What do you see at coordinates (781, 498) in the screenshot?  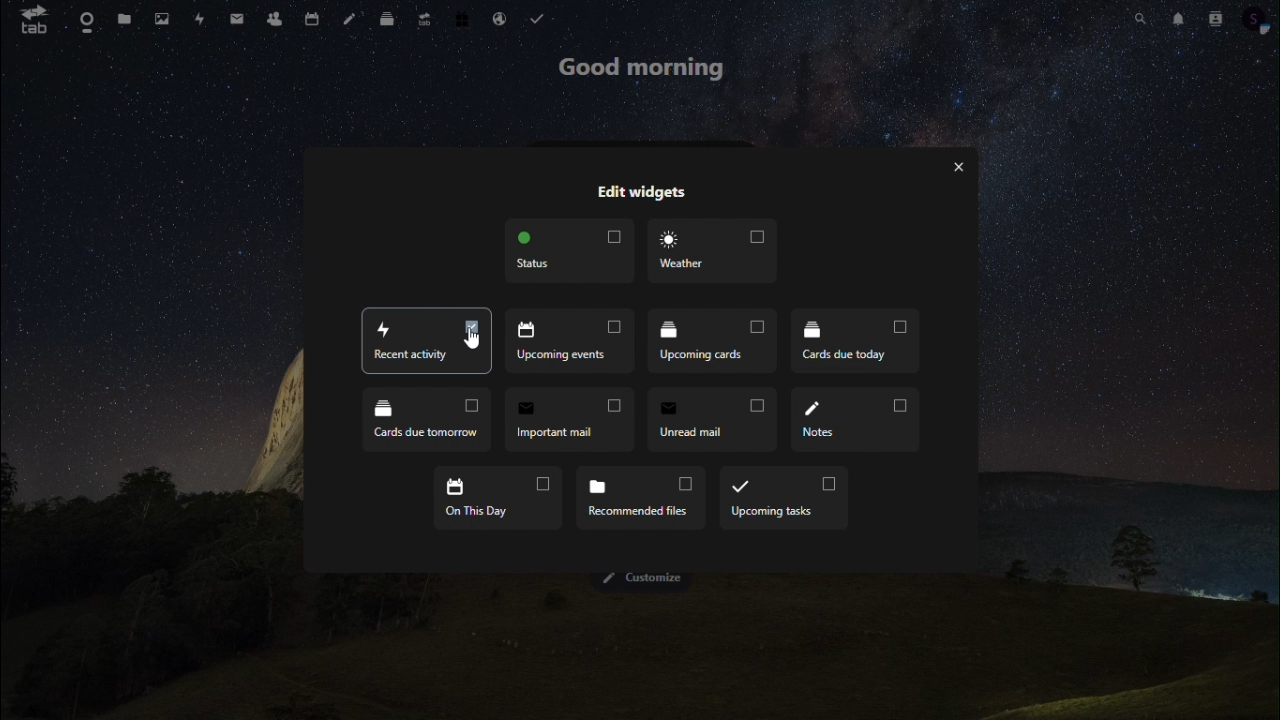 I see `upcoming task` at bounding box center [781, 498].